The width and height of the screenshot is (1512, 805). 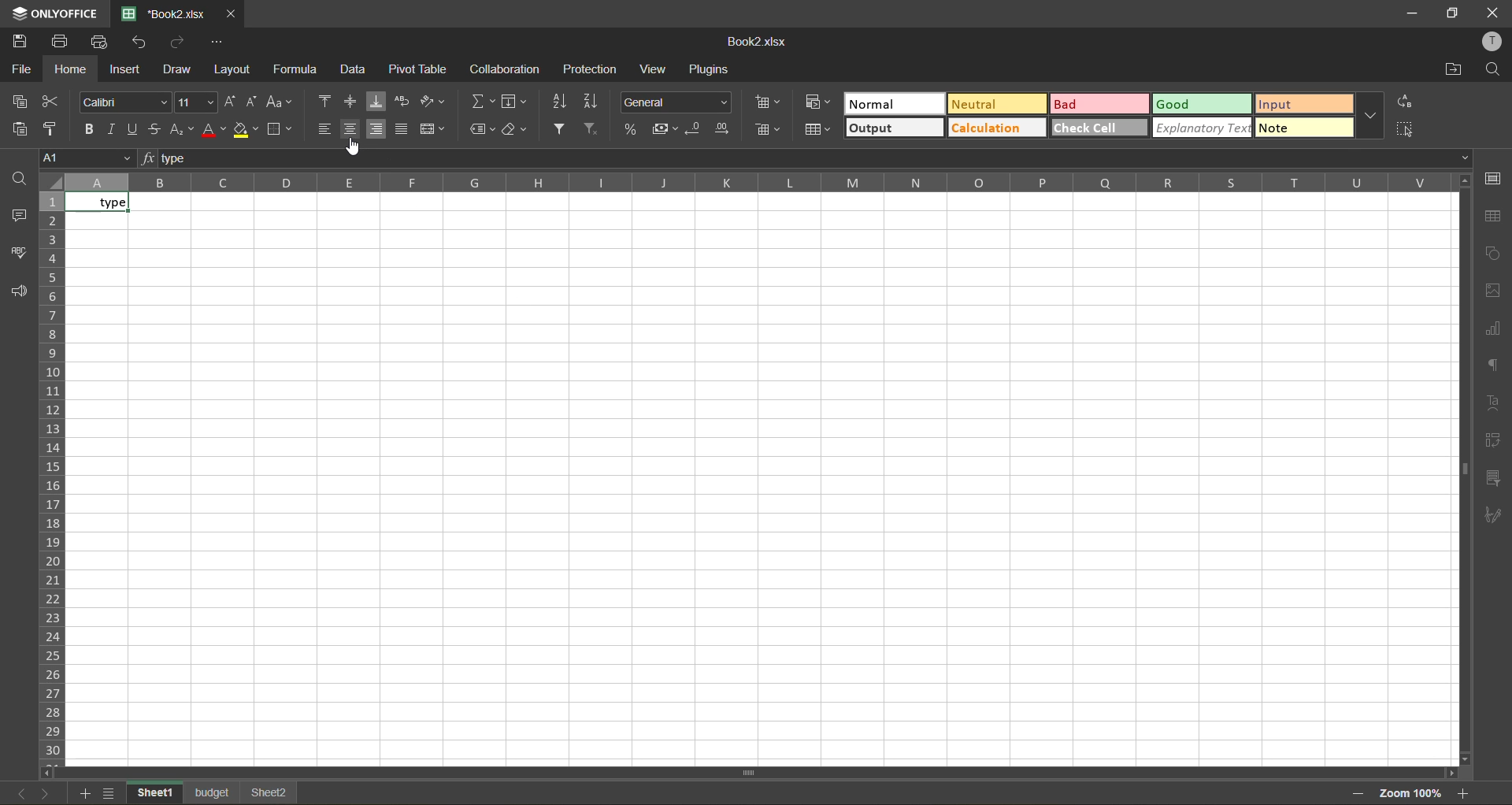 What do you see at coordinates (140, 43) in the screenshot?
I see `undo` at bounding box center [140, 43].